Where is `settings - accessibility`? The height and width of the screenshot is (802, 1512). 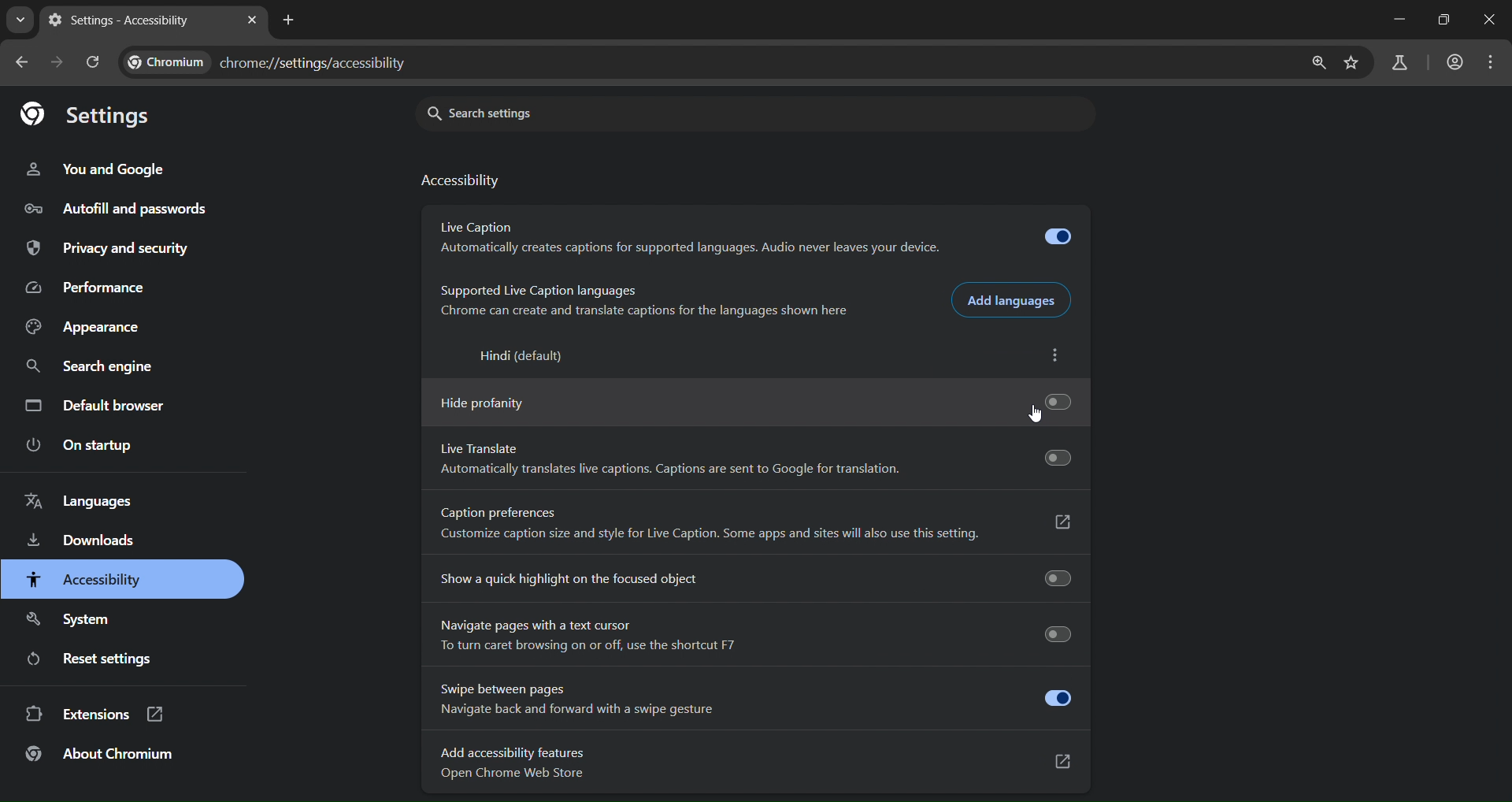 settings - accessibility is located at coordinates (132, 20).